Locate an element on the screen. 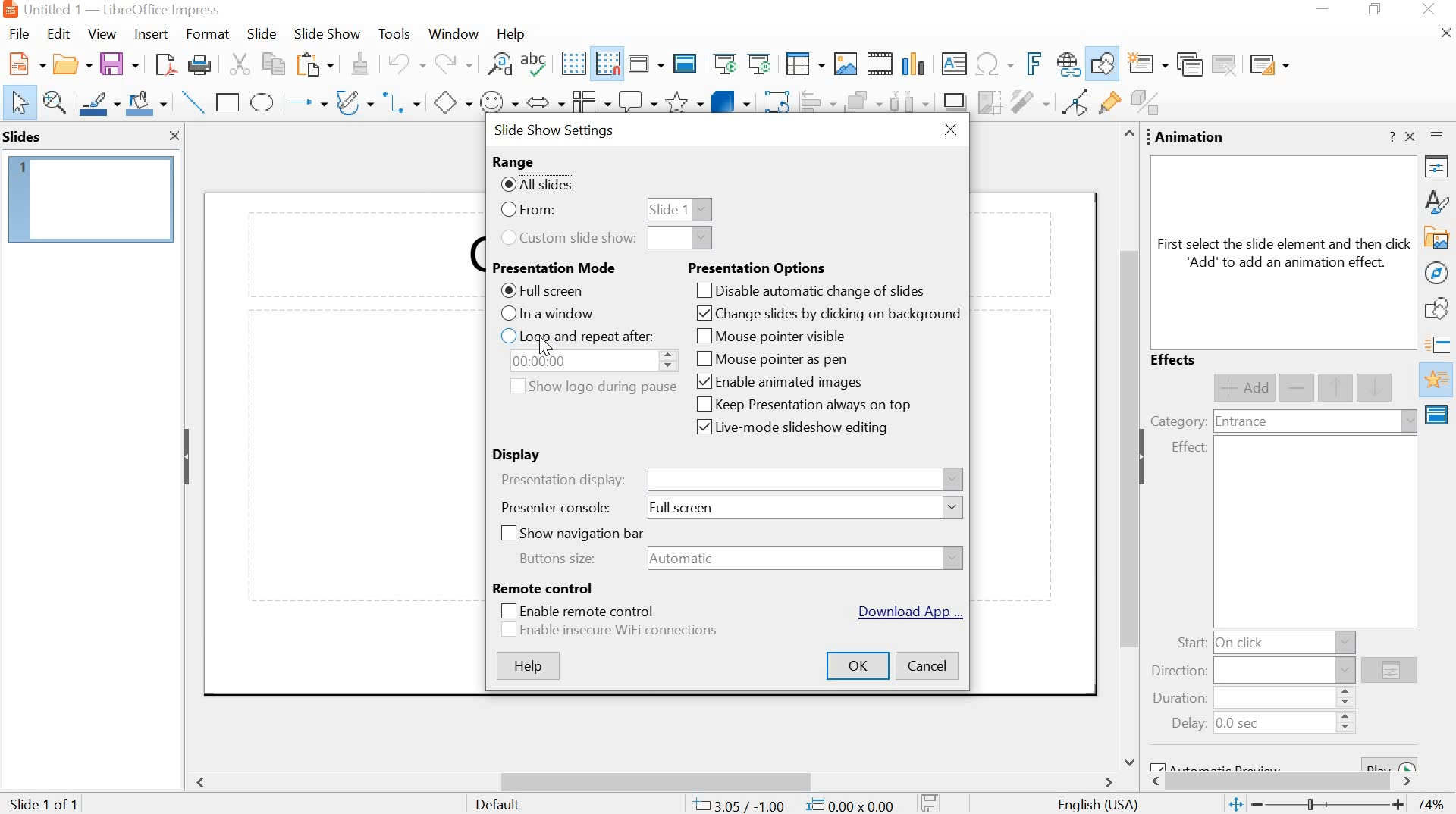  lines and arrows is located at coordinates (306, 103).